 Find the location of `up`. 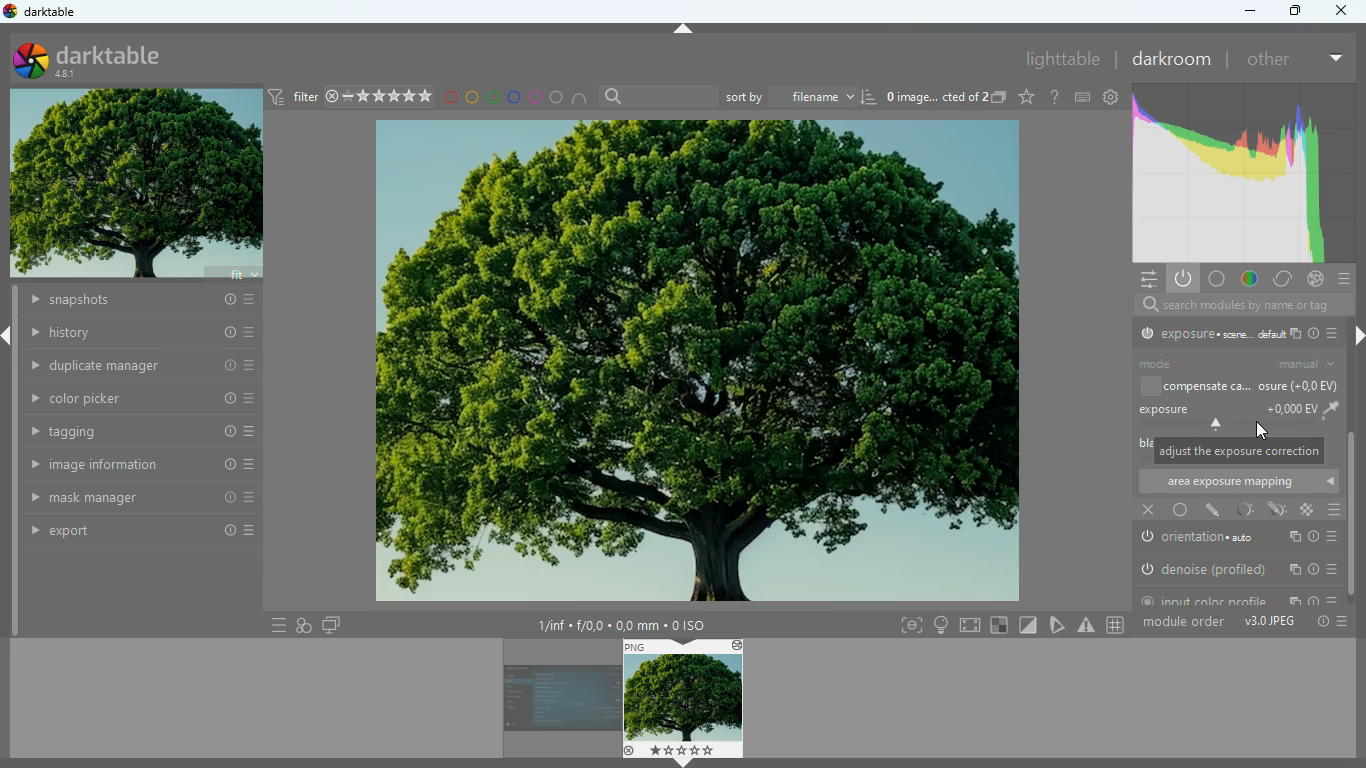

up is located at coordinates (684, 29).